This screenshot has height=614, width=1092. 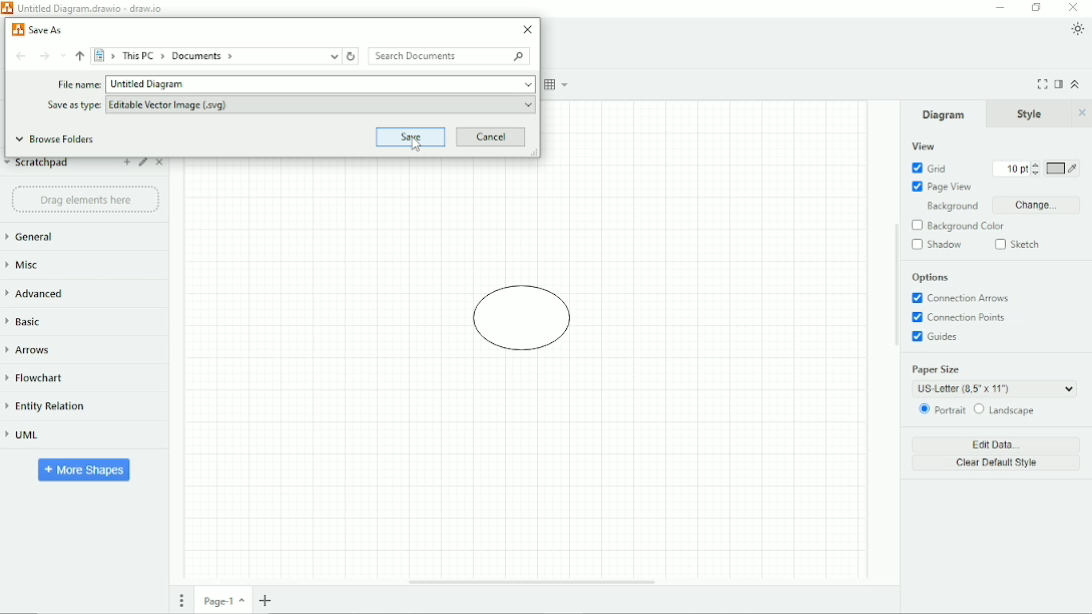 I want to click on Style, so click(x=1032, y=113).